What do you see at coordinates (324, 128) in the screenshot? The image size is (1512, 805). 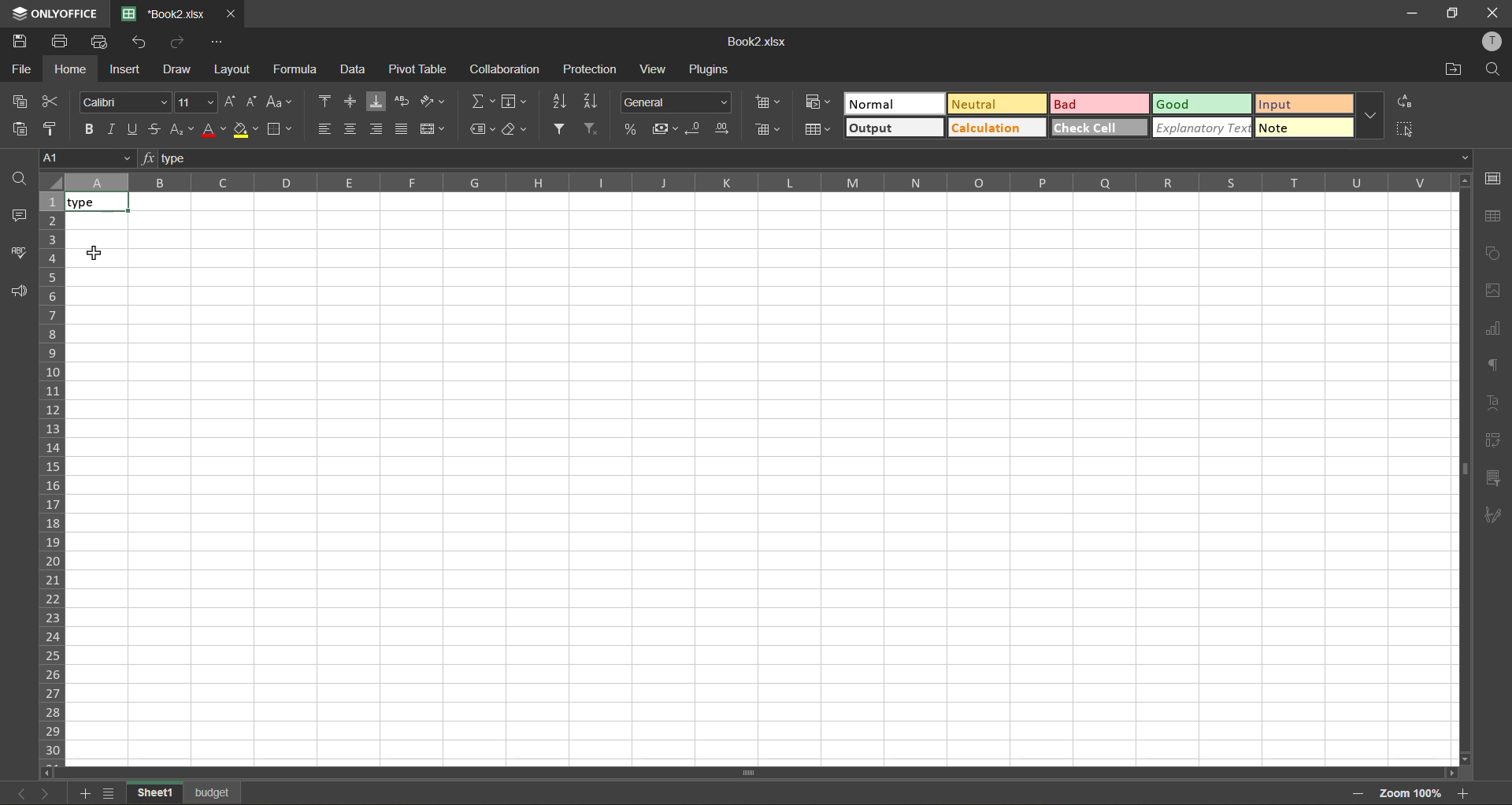 I see `align left` at bounding box center [324, 128].